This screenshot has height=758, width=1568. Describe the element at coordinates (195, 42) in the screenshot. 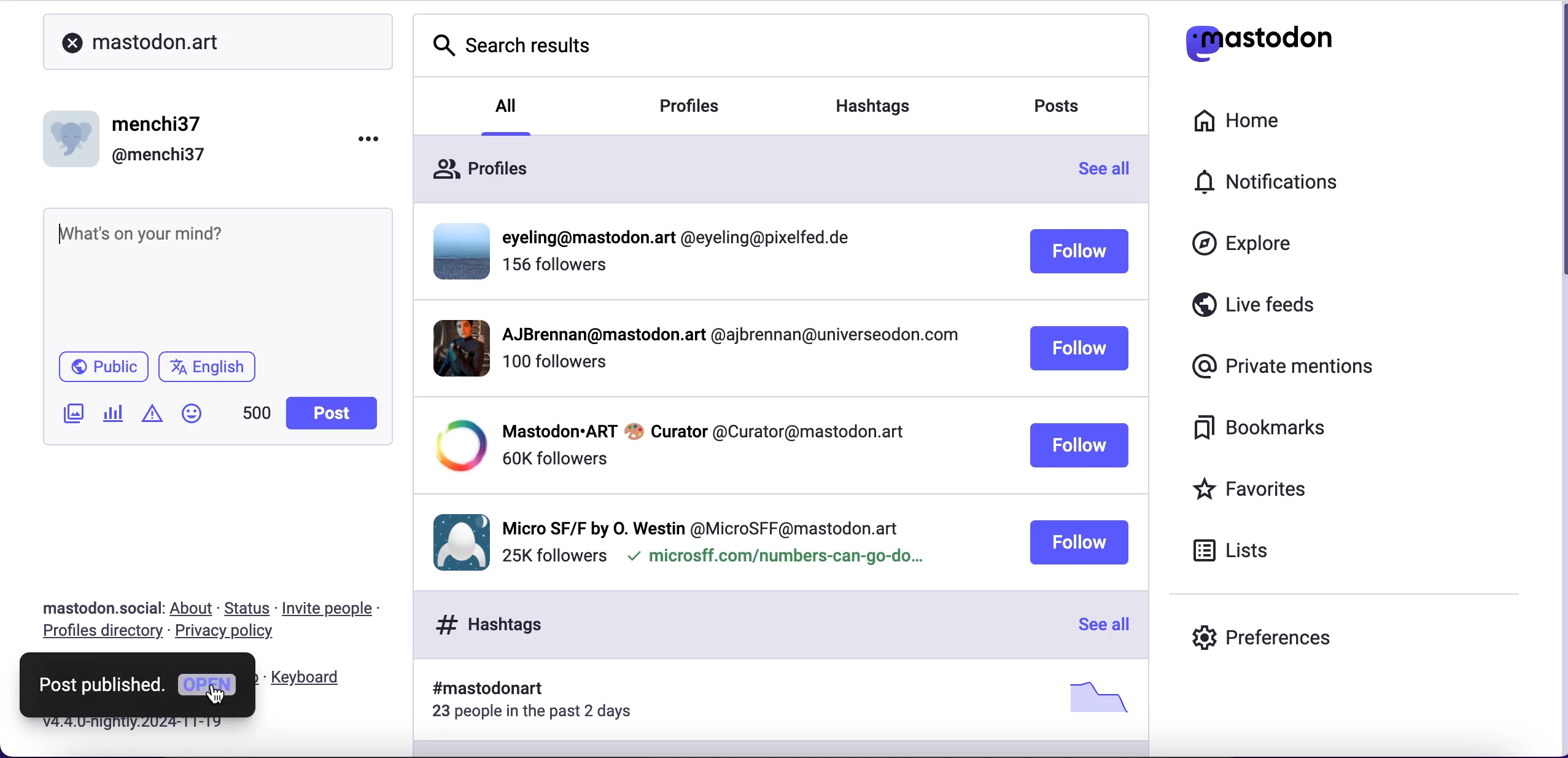

I see `mastodon.art` at that location.